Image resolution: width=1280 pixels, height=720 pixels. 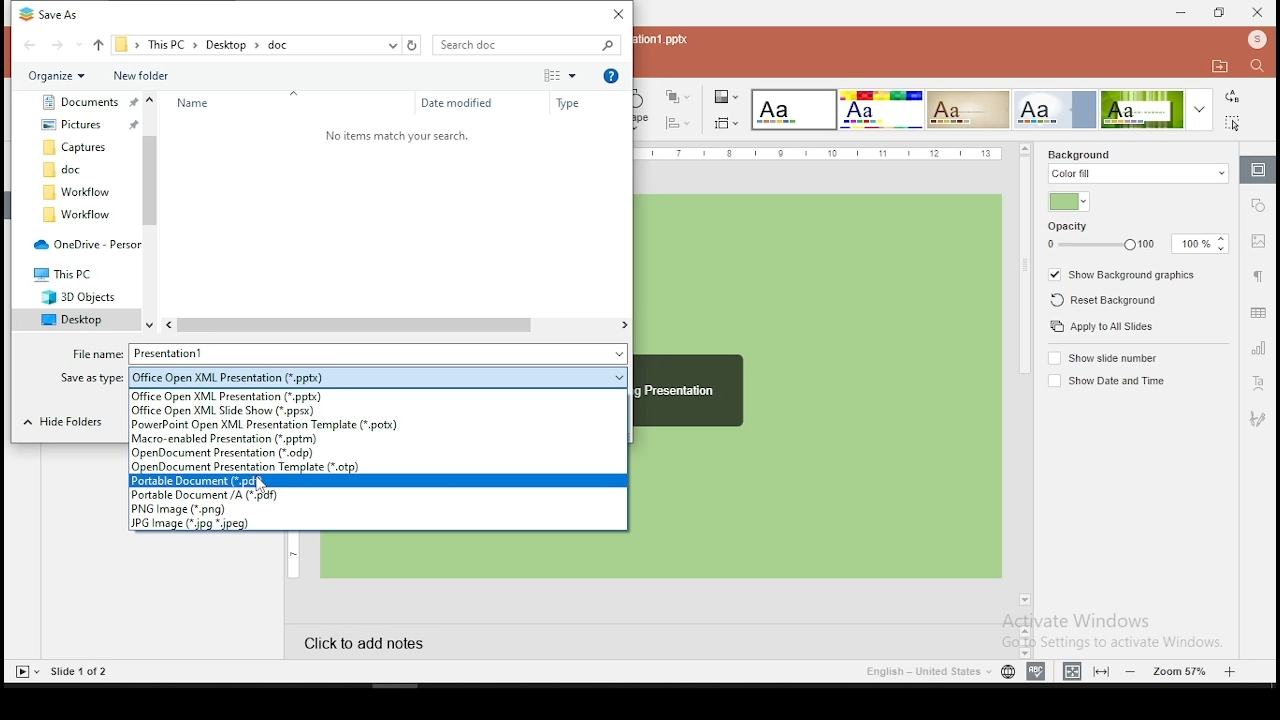 What do you see at coordinates (1199, 109) in the screenshot?
I see `more color theme` at bounding box center [1199, 109].